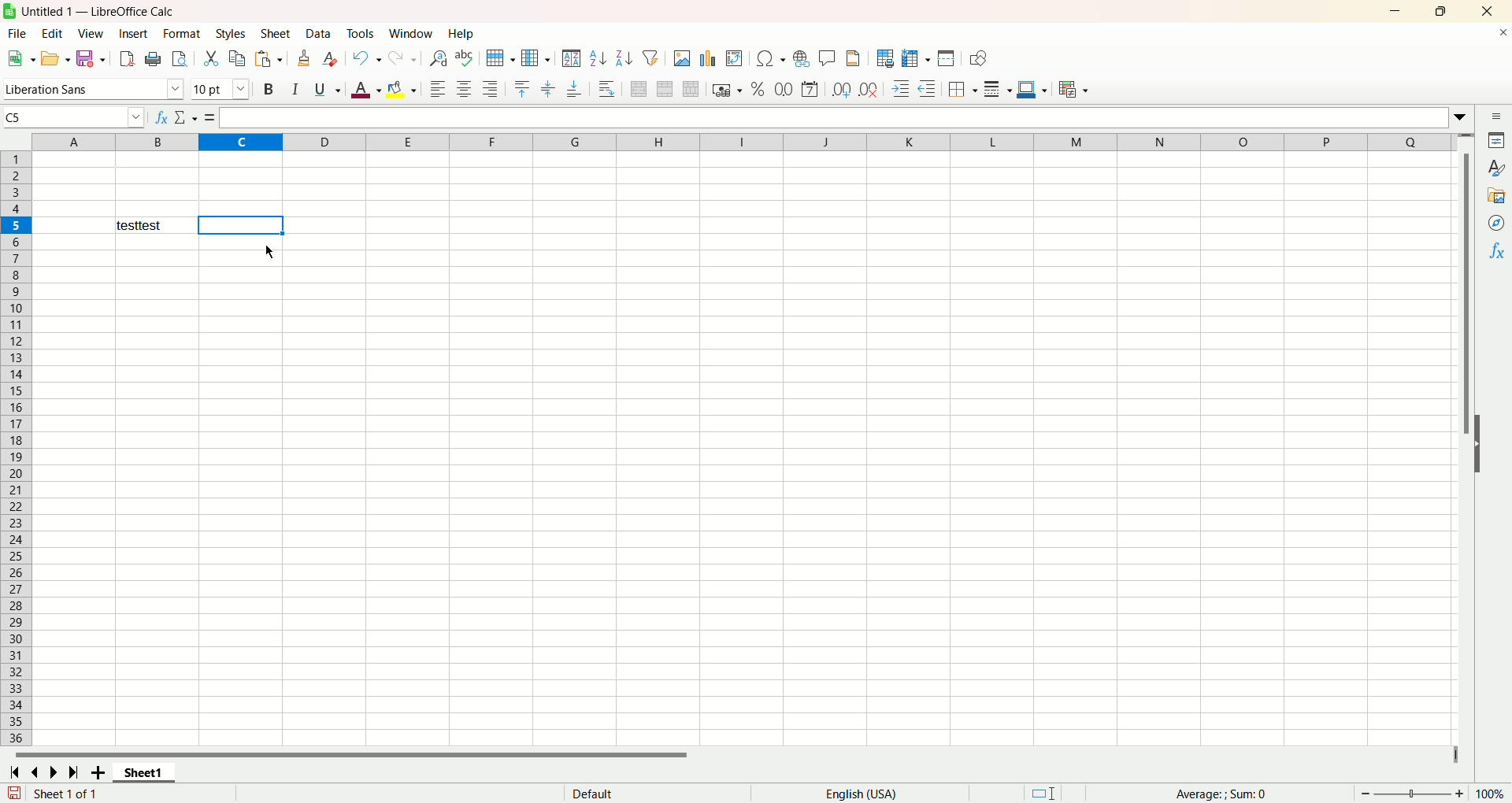  I want to click on export directly as PDF, so click(128, 57).